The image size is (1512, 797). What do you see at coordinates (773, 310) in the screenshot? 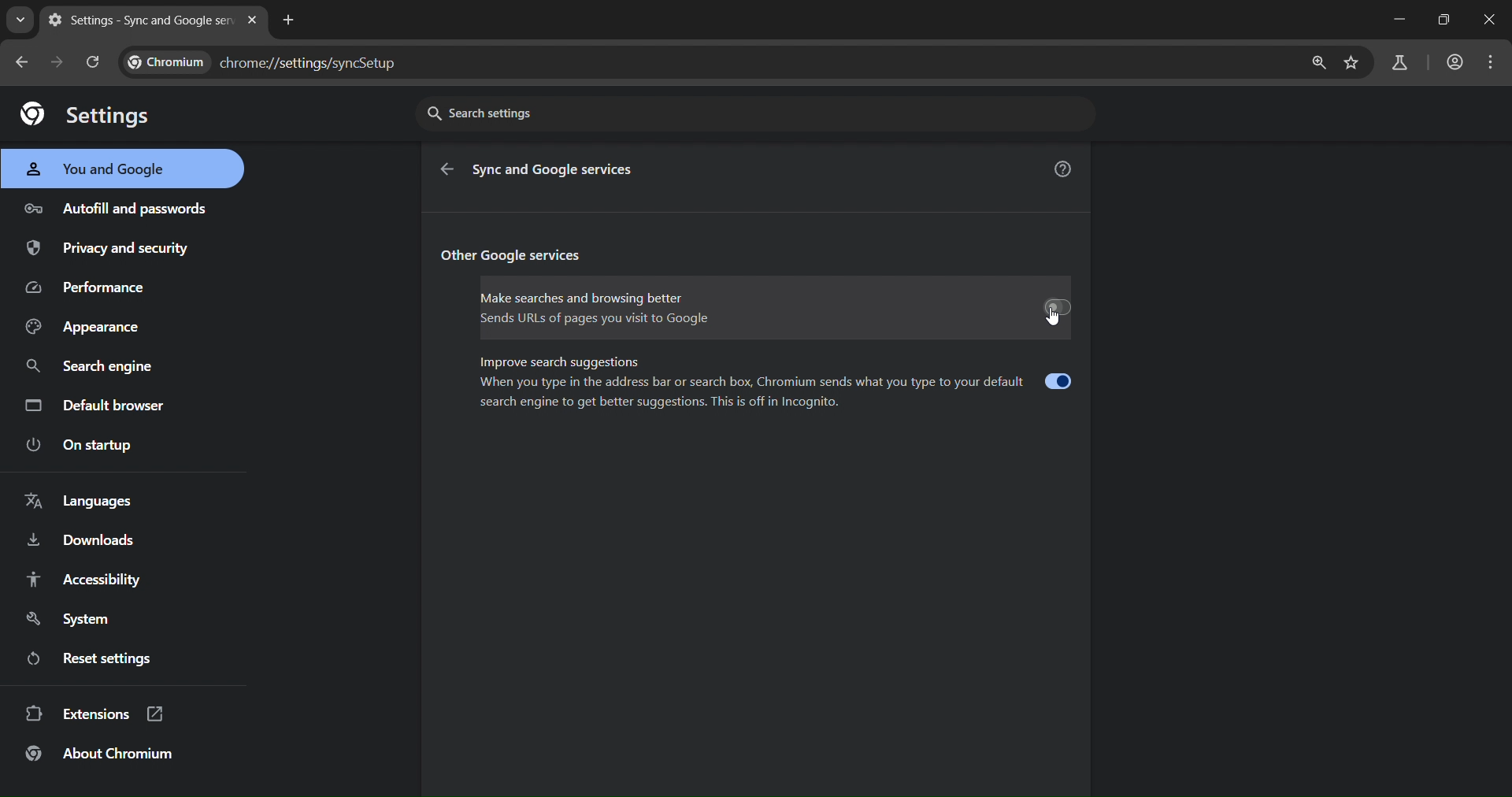
I see `Make searches and browsing better
Sends URLS of pages you visit to Google` at bounding box center [773, 310].